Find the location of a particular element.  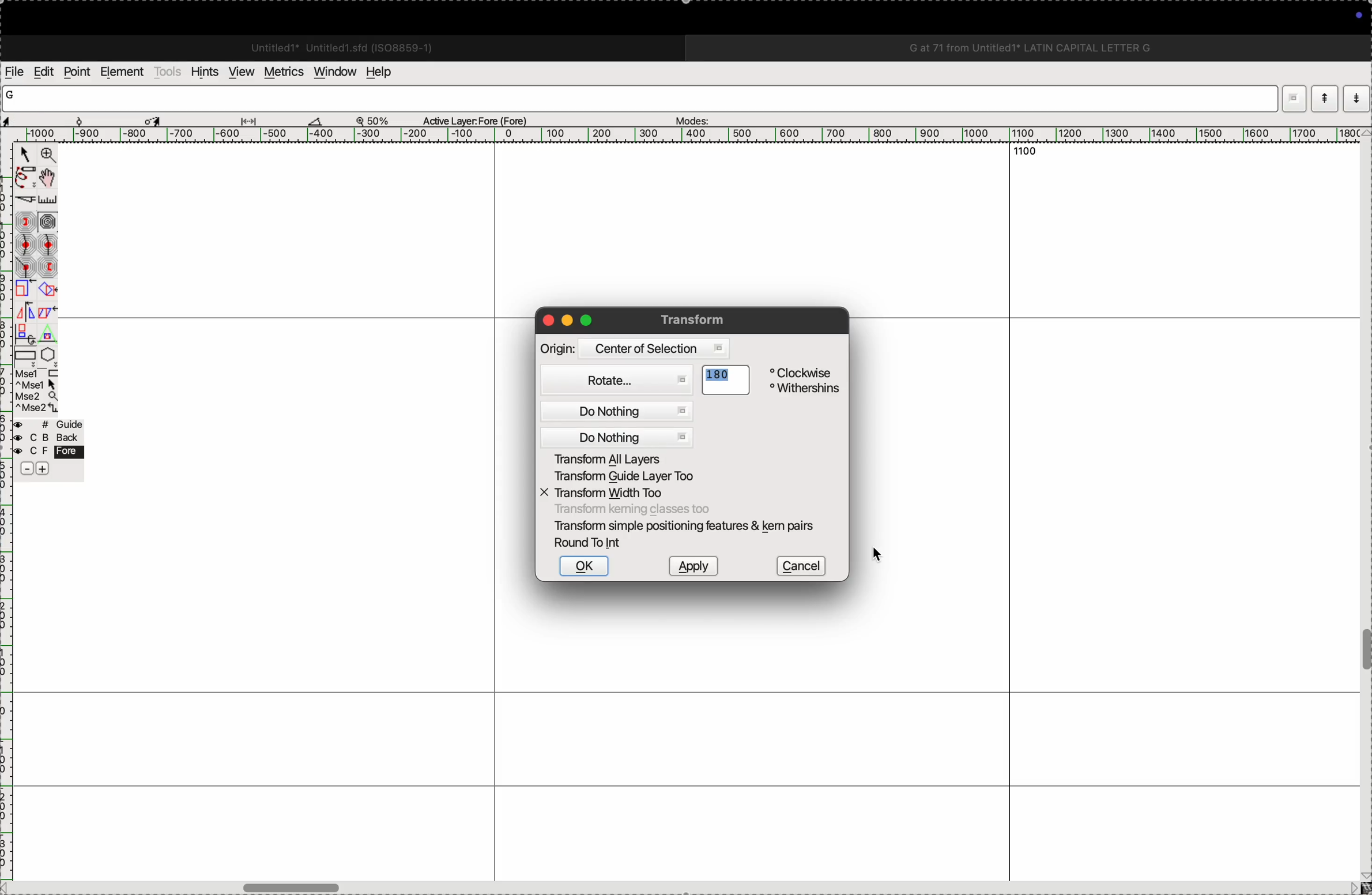

apply is located at coordinates (692, 565).